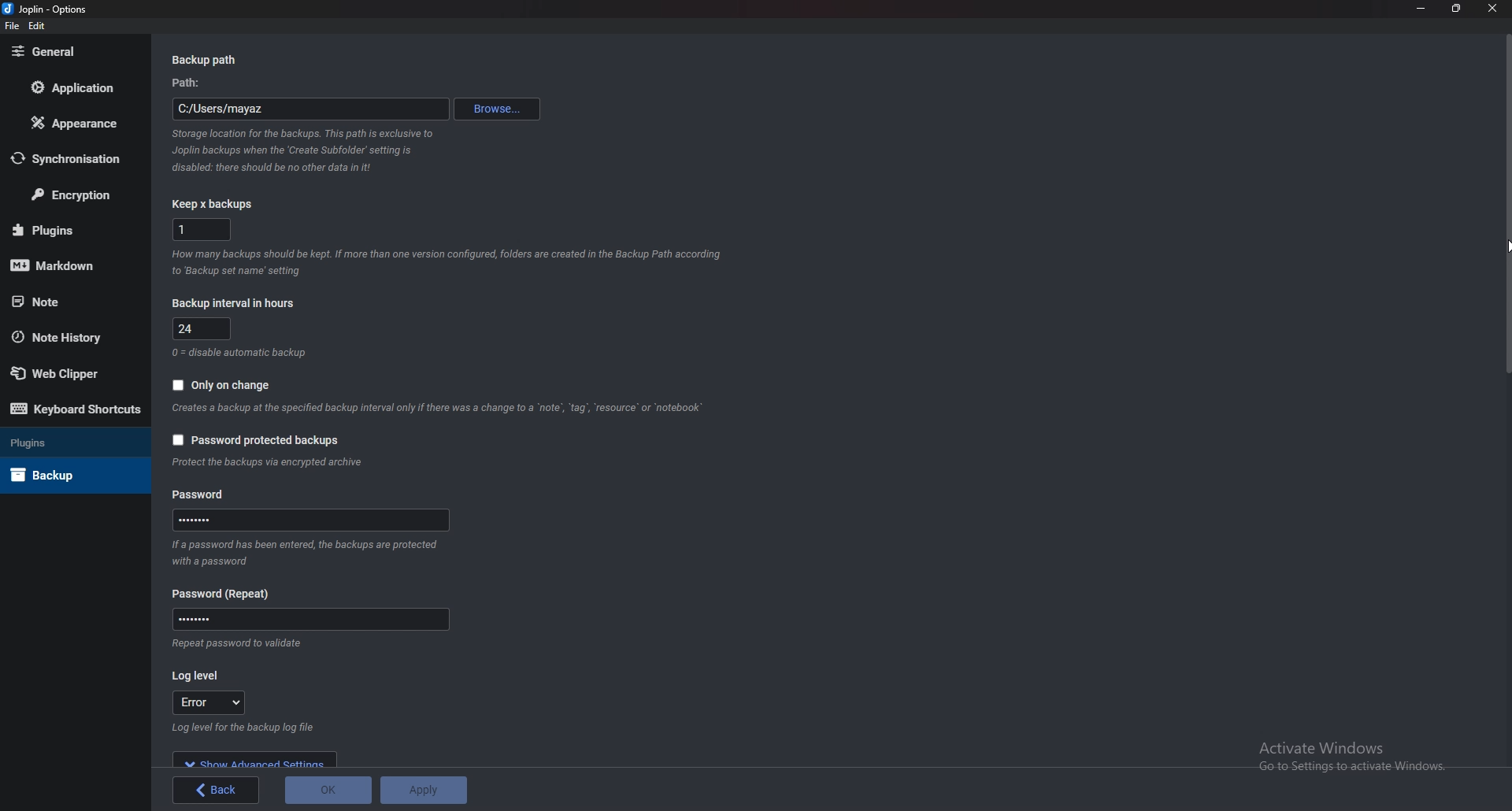  I want to click on Keep x backups, so click(217, 204).